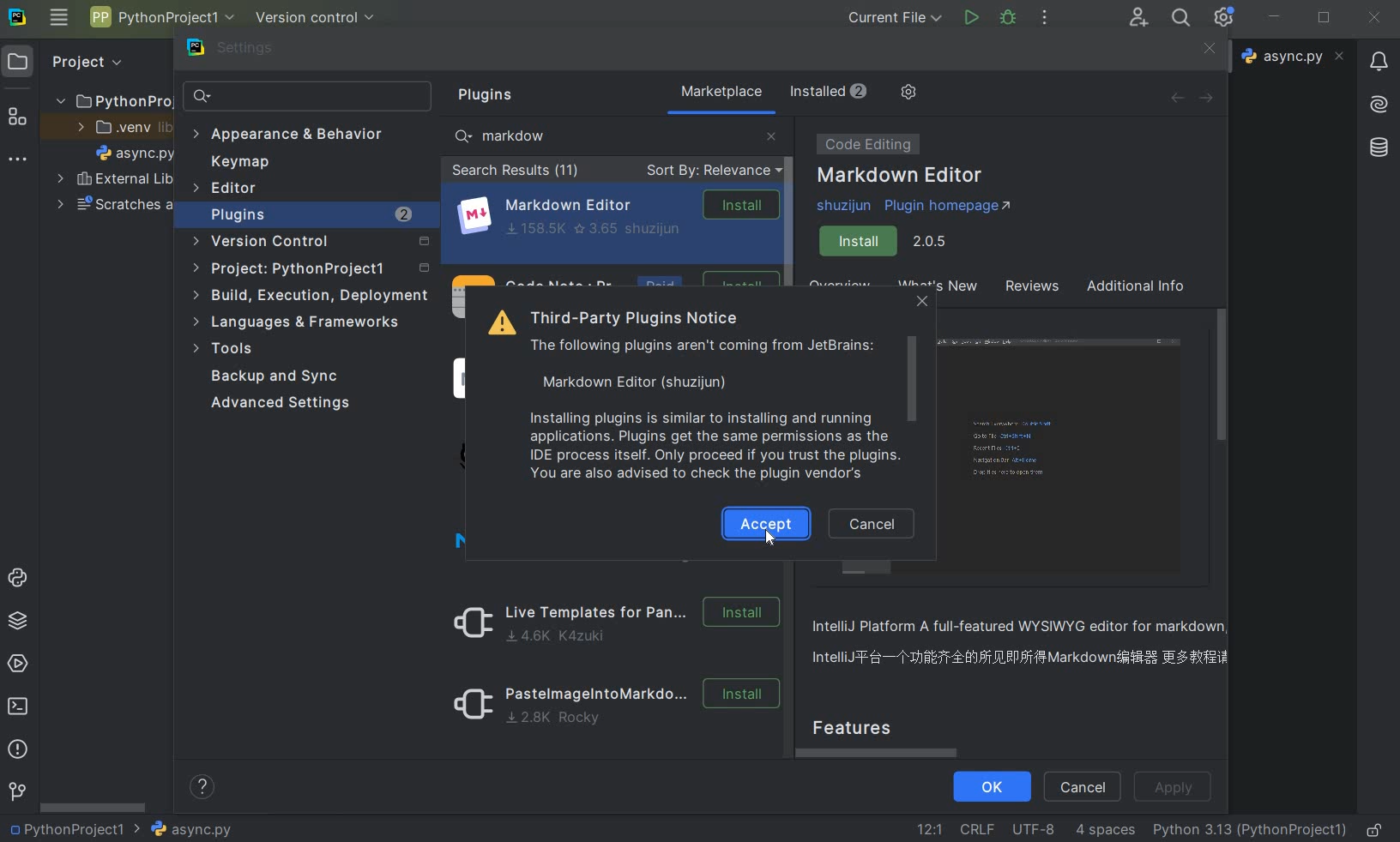  Describe the element at coordinates (990, 788) in the screenshot. I see `ok` at that location.